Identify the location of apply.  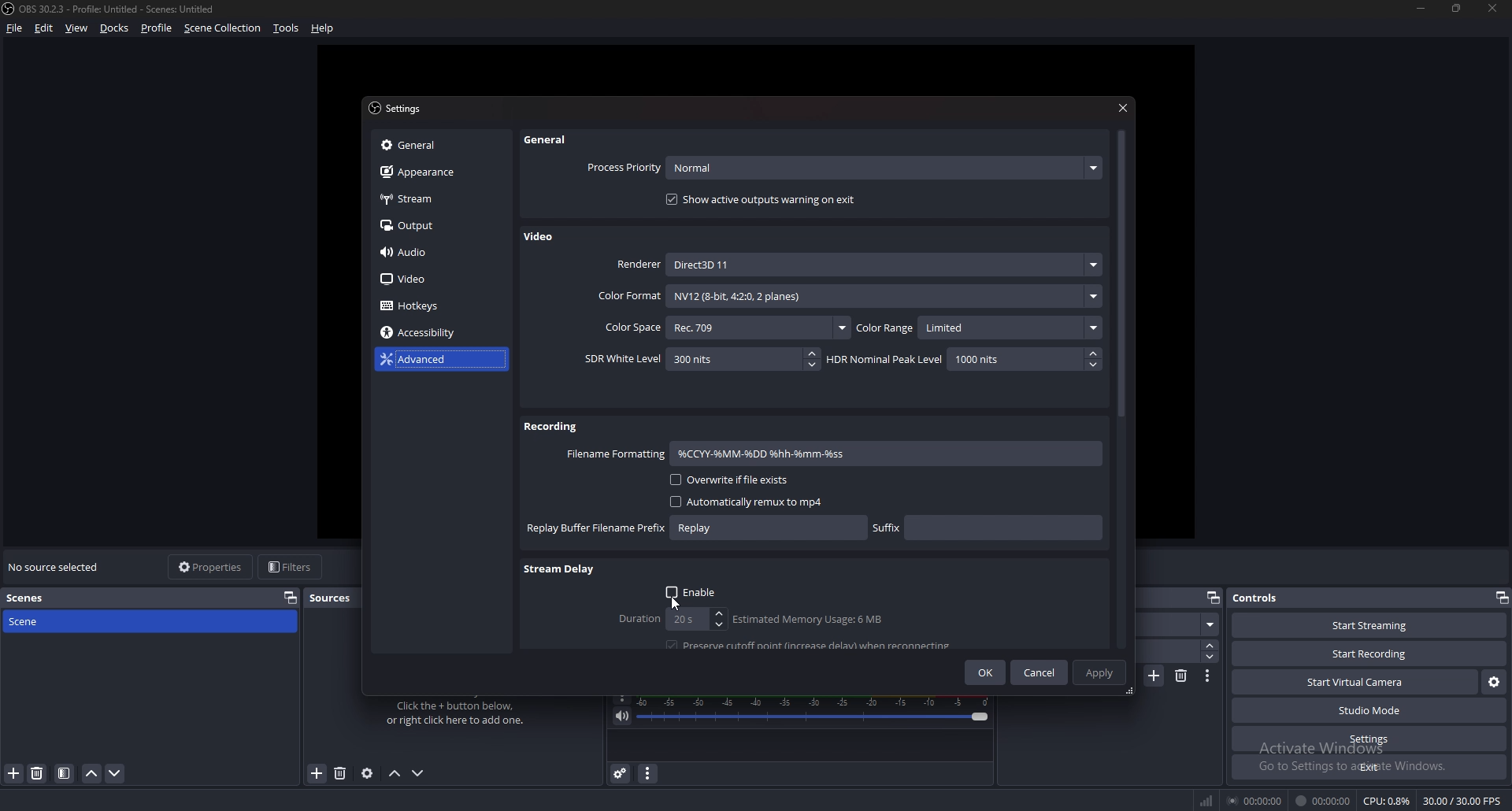
(1099, 672).